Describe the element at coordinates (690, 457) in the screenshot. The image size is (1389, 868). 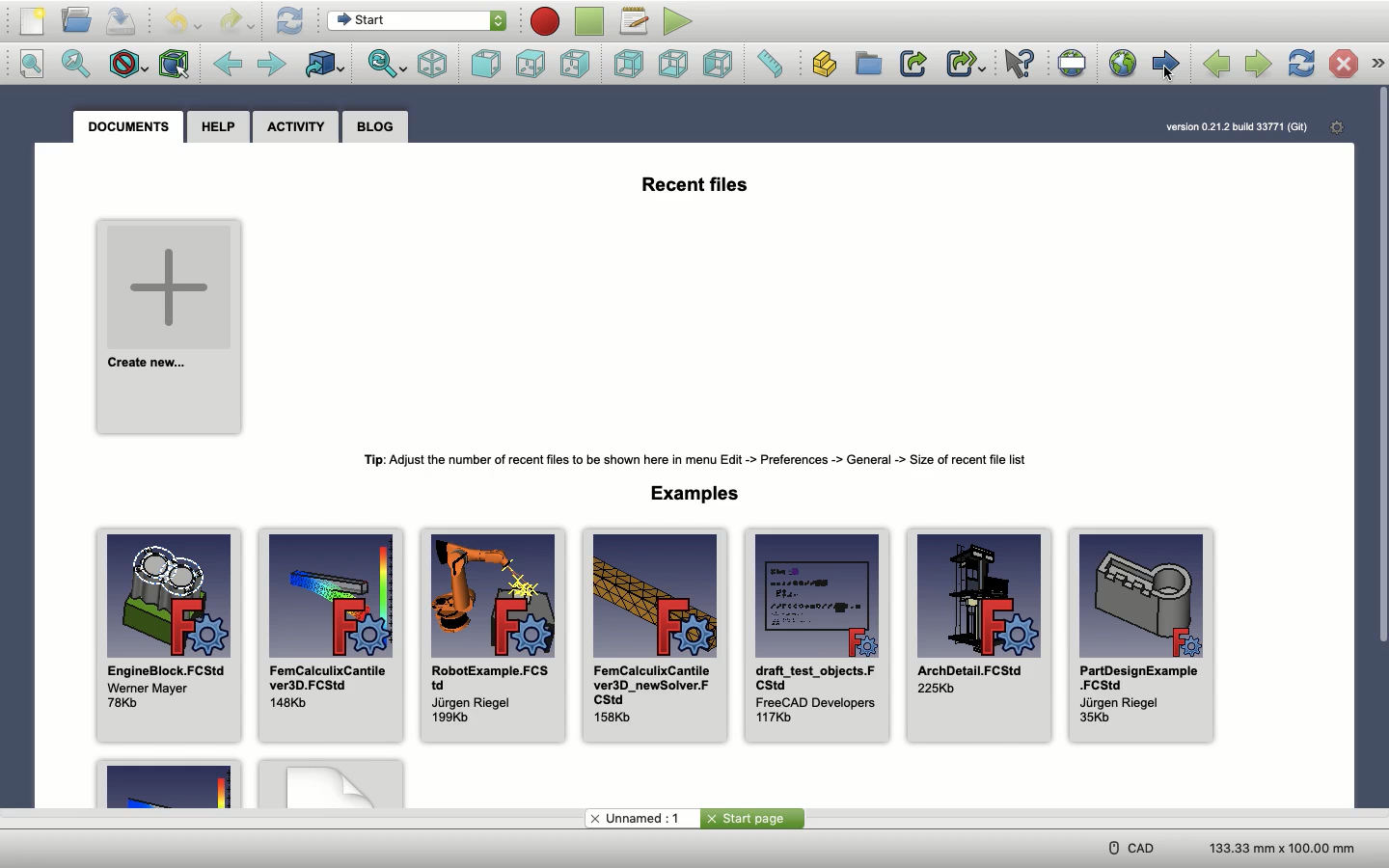
I see `Tip` at that location.